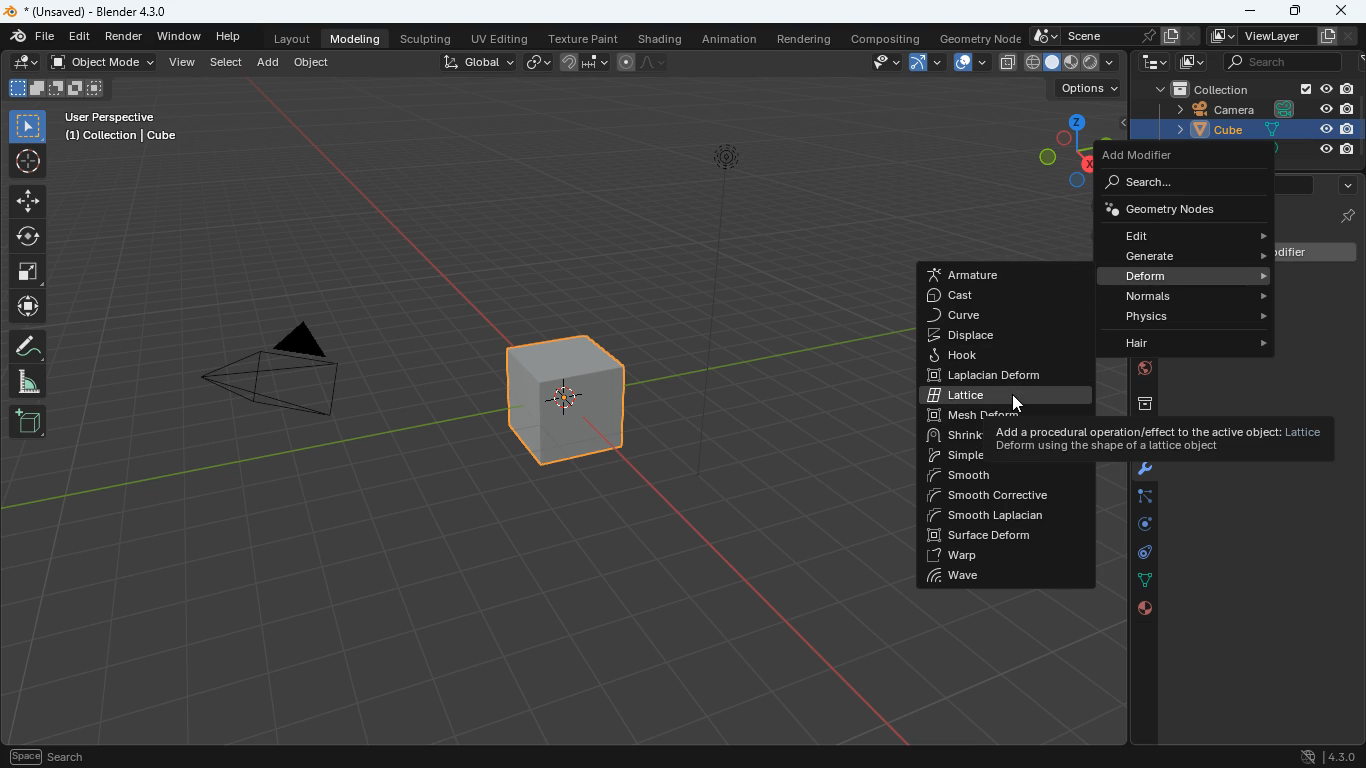 This screenshot has height=768, width=1366. I want to click on draw, so click(28, 347).